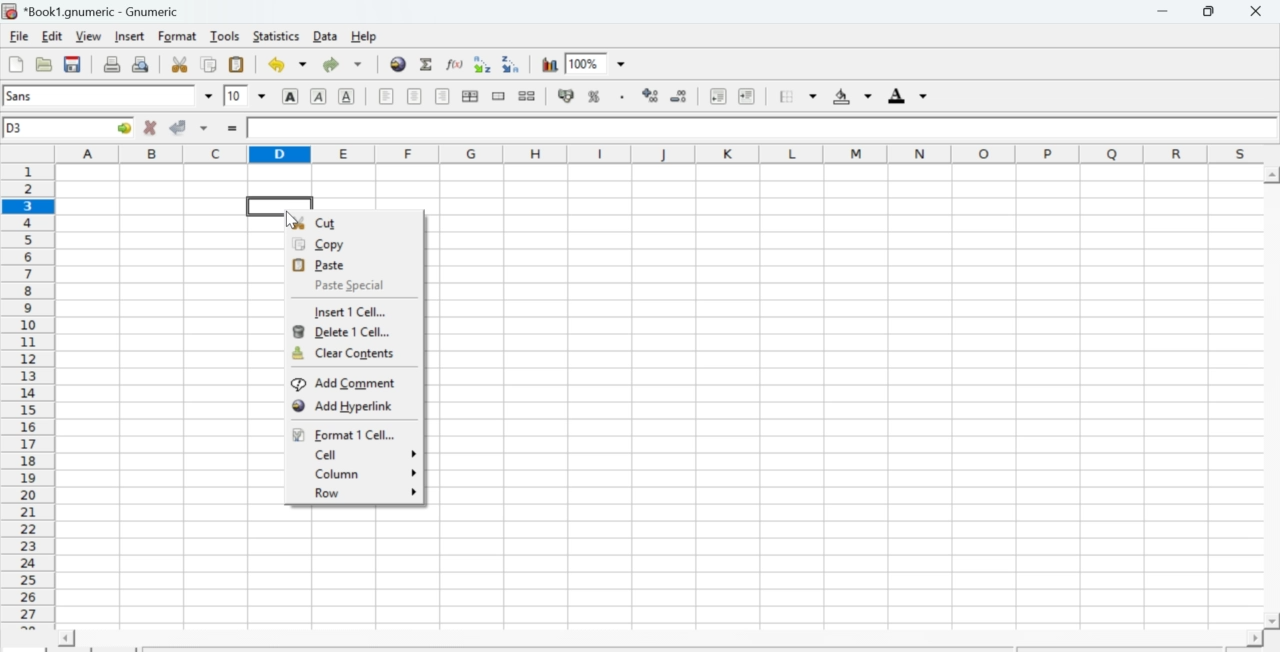 Image resolution: width=1280 pixels, height=652 pixels. What do you see at coordinates (651, 95) in the screenshot?
I see `Increase number of decimals` at bounding box center [651, 95].